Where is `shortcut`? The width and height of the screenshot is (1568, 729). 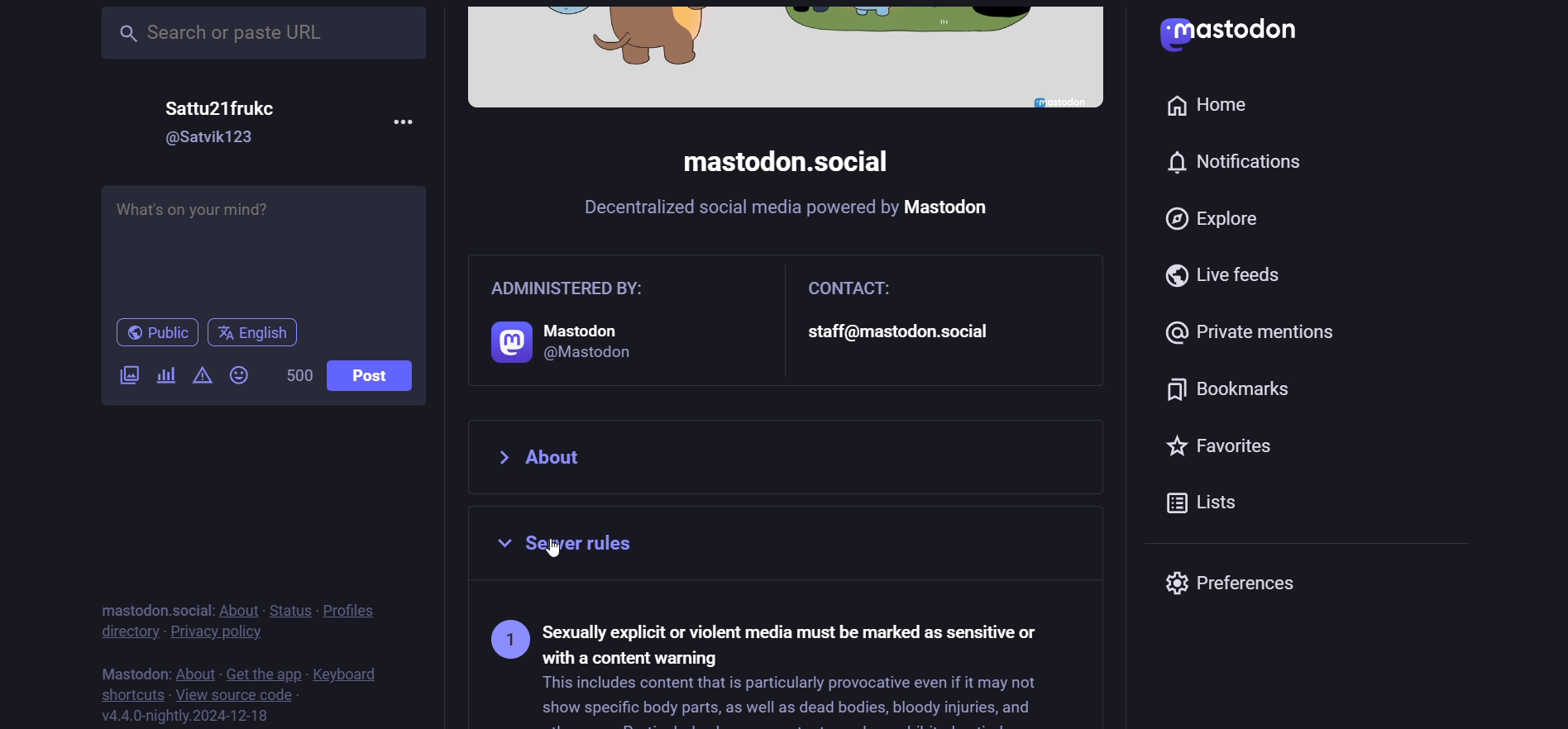
shortcut is located at coordinates (127, 693).